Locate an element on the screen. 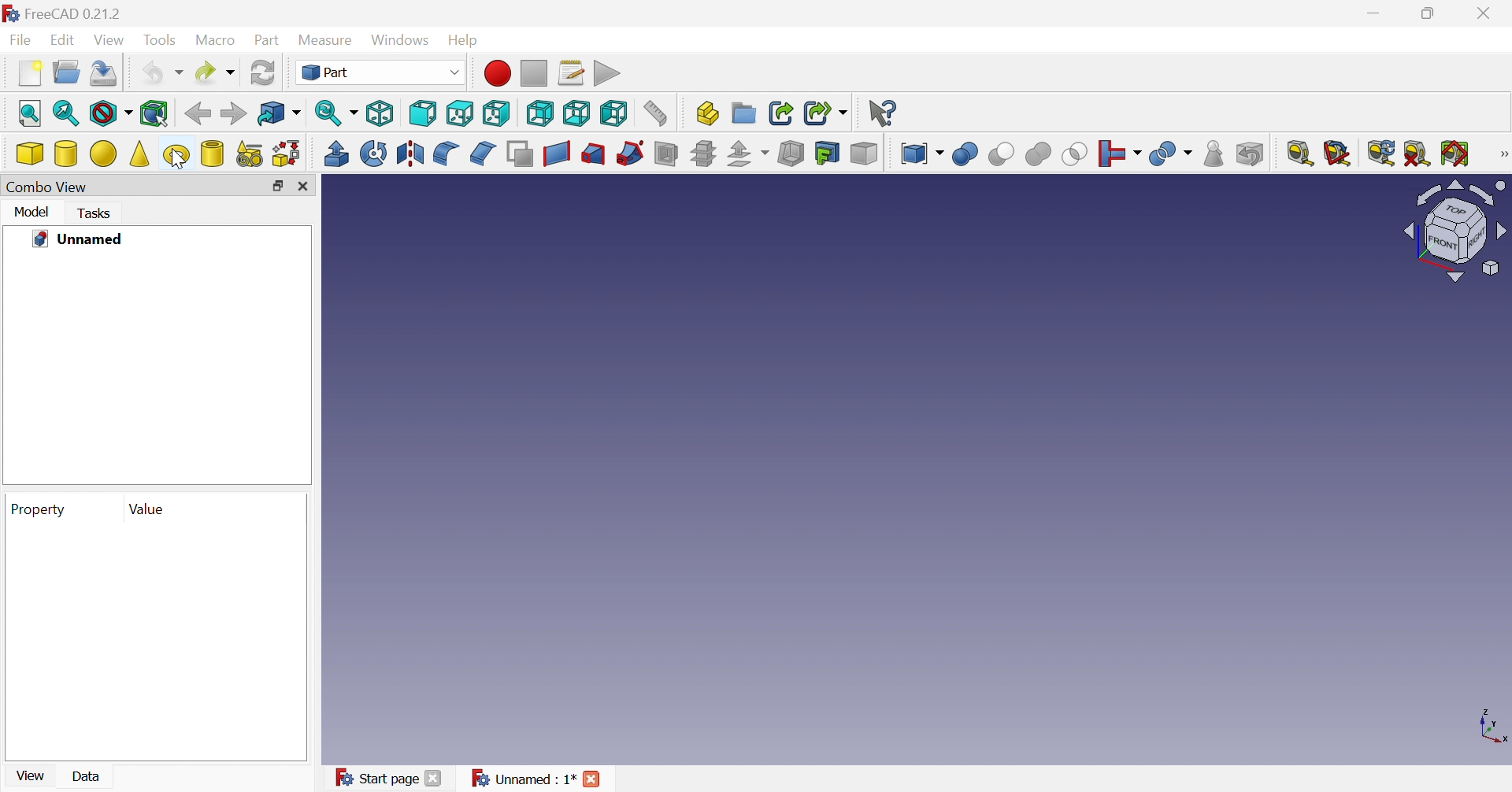  Right is located at coordinates (538, 113).